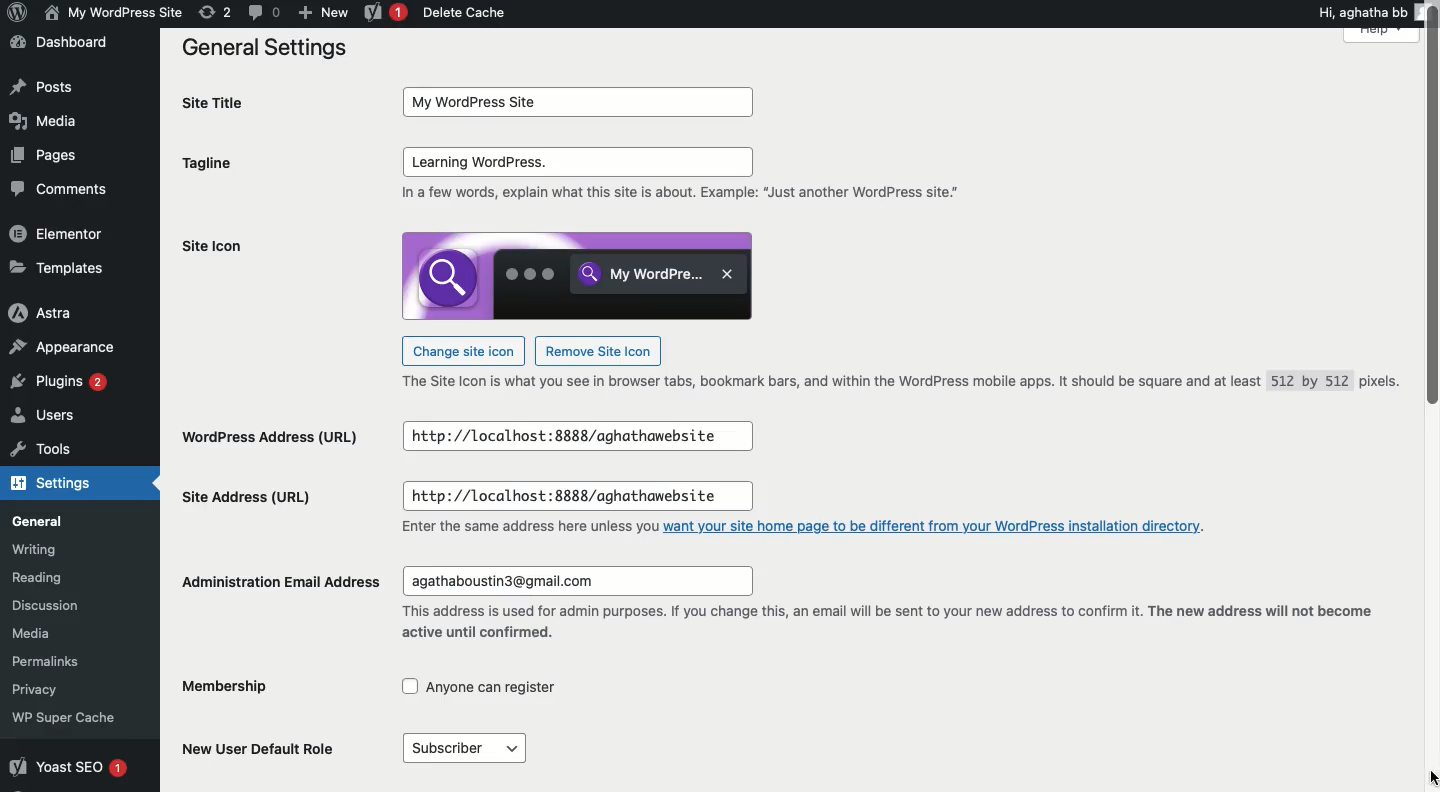  What do you see at coordinates (70, 668) in the screenshot?
I see `Permalinks` at bounding box center [70, 668].